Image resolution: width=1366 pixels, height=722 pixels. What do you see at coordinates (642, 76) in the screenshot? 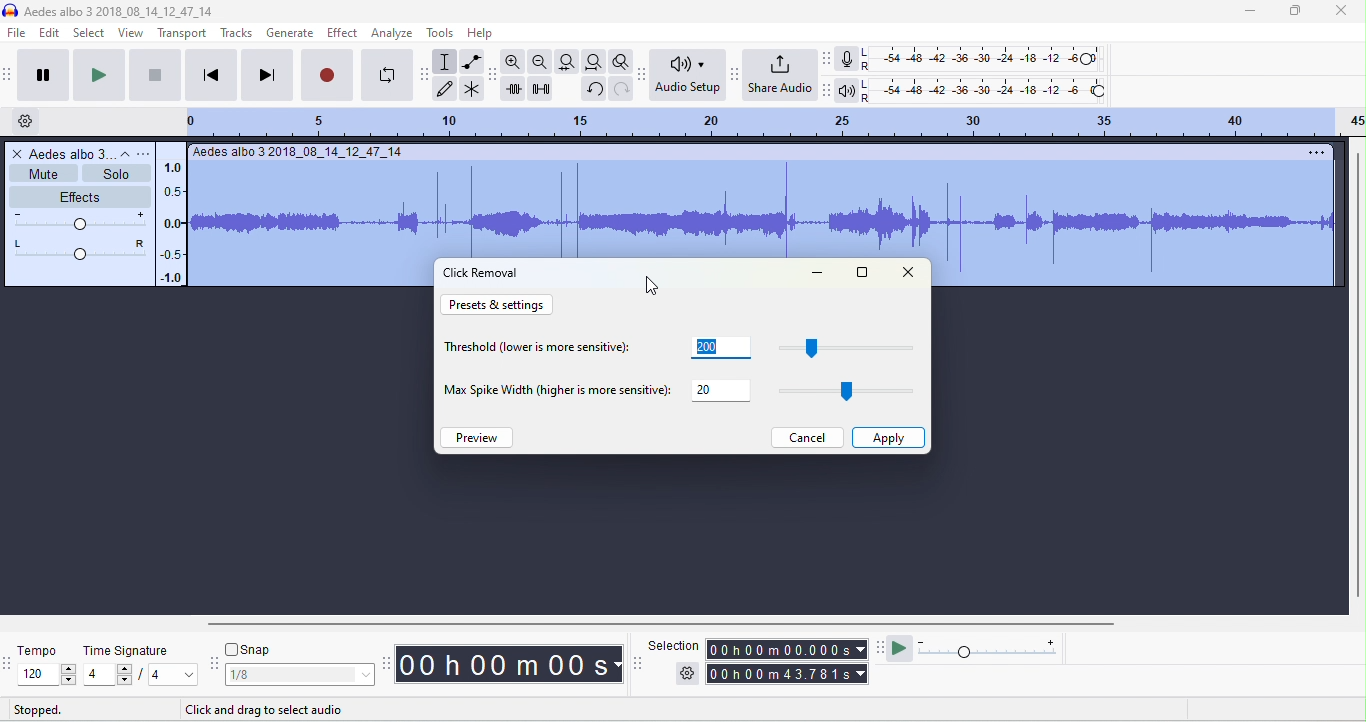
I see `audacity audio setup toolbar` at bounding box center [642, 76].